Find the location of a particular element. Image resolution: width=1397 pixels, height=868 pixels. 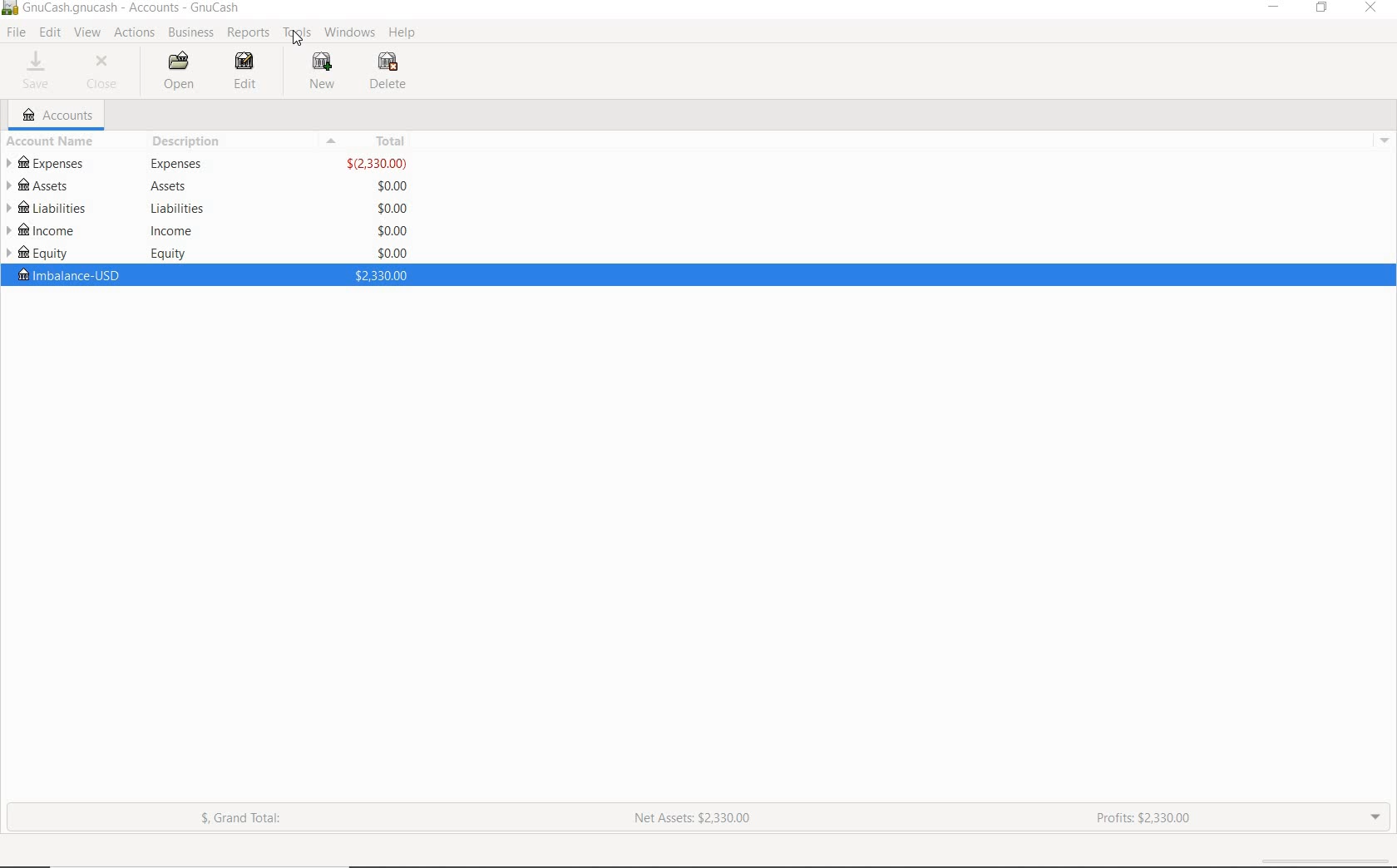

WINDOWS is located at coordinates (350, 33).